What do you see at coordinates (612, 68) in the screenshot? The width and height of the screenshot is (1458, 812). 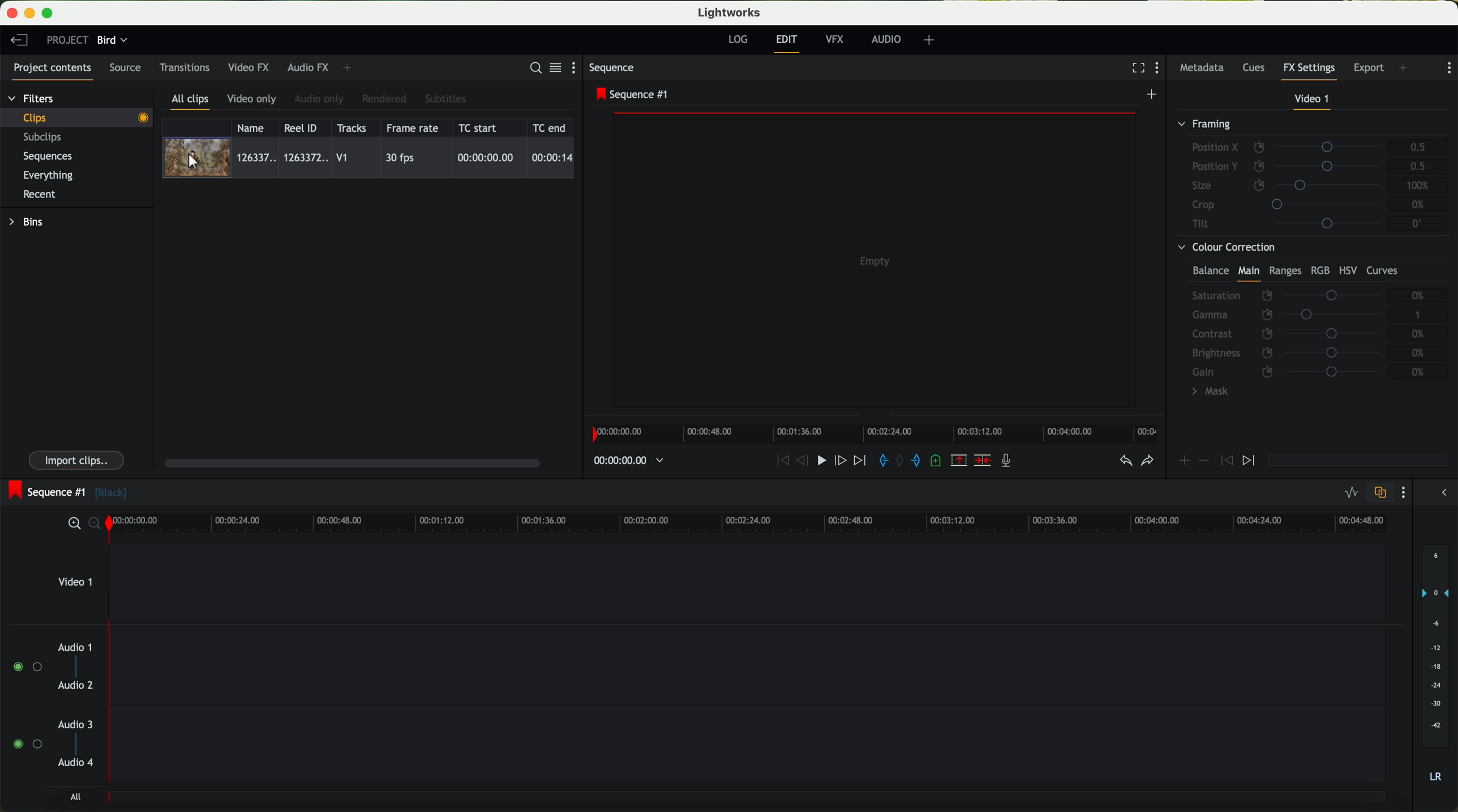 I see `sequence` at bounding box center [612, 68].